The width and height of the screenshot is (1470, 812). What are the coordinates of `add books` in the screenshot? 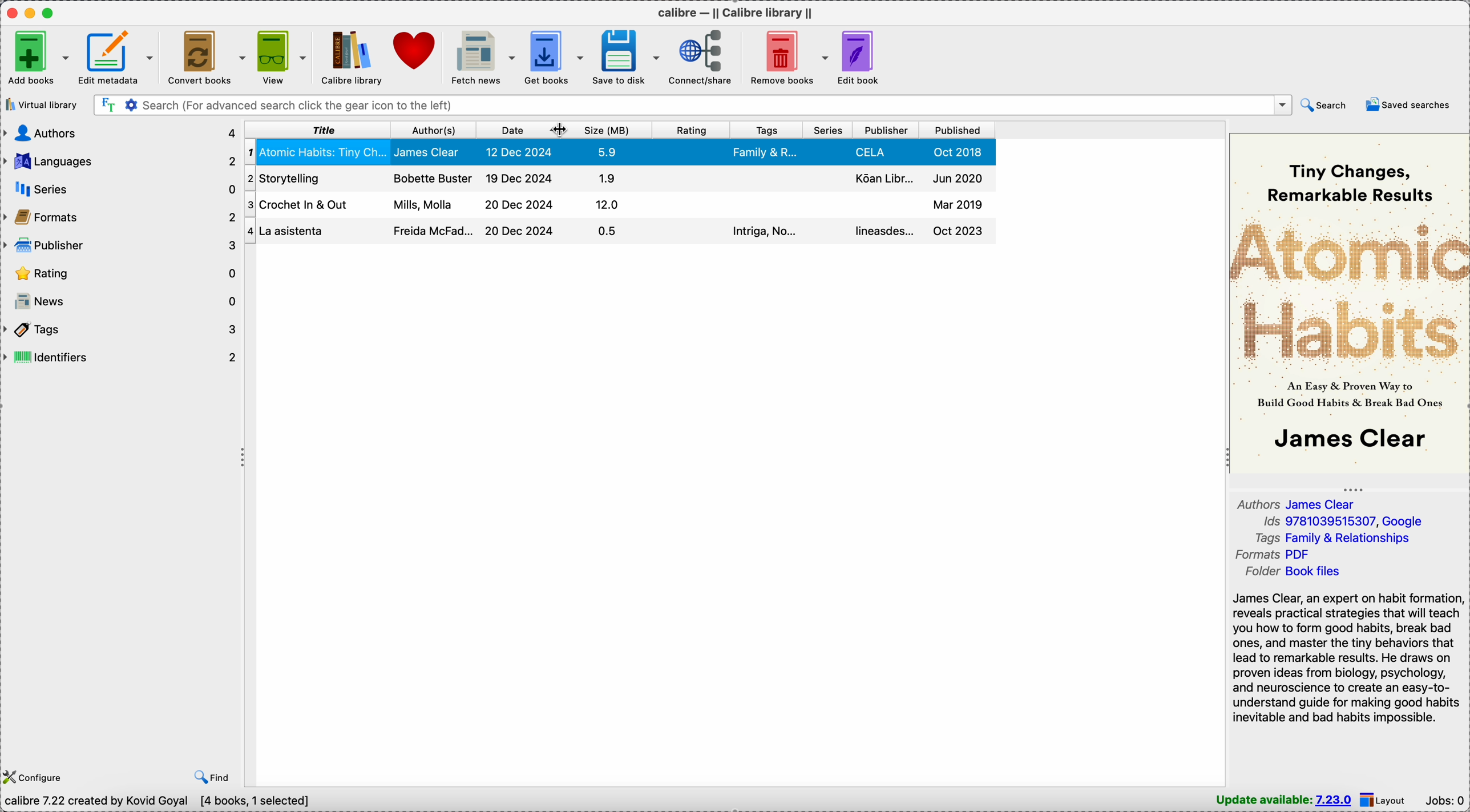 It's located at (37, 58).